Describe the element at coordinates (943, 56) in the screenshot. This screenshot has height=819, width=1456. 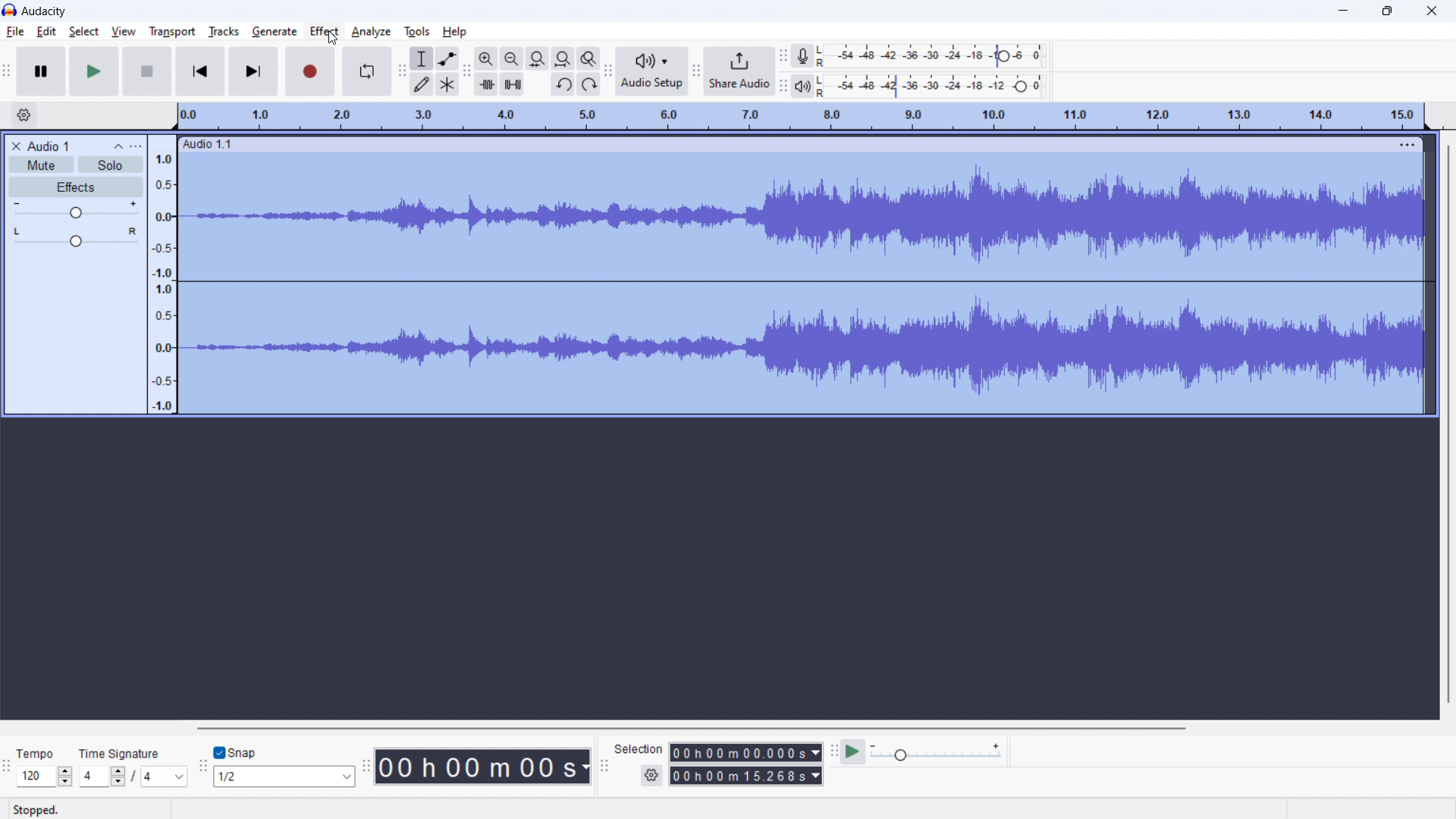
I see `record level` at that location.